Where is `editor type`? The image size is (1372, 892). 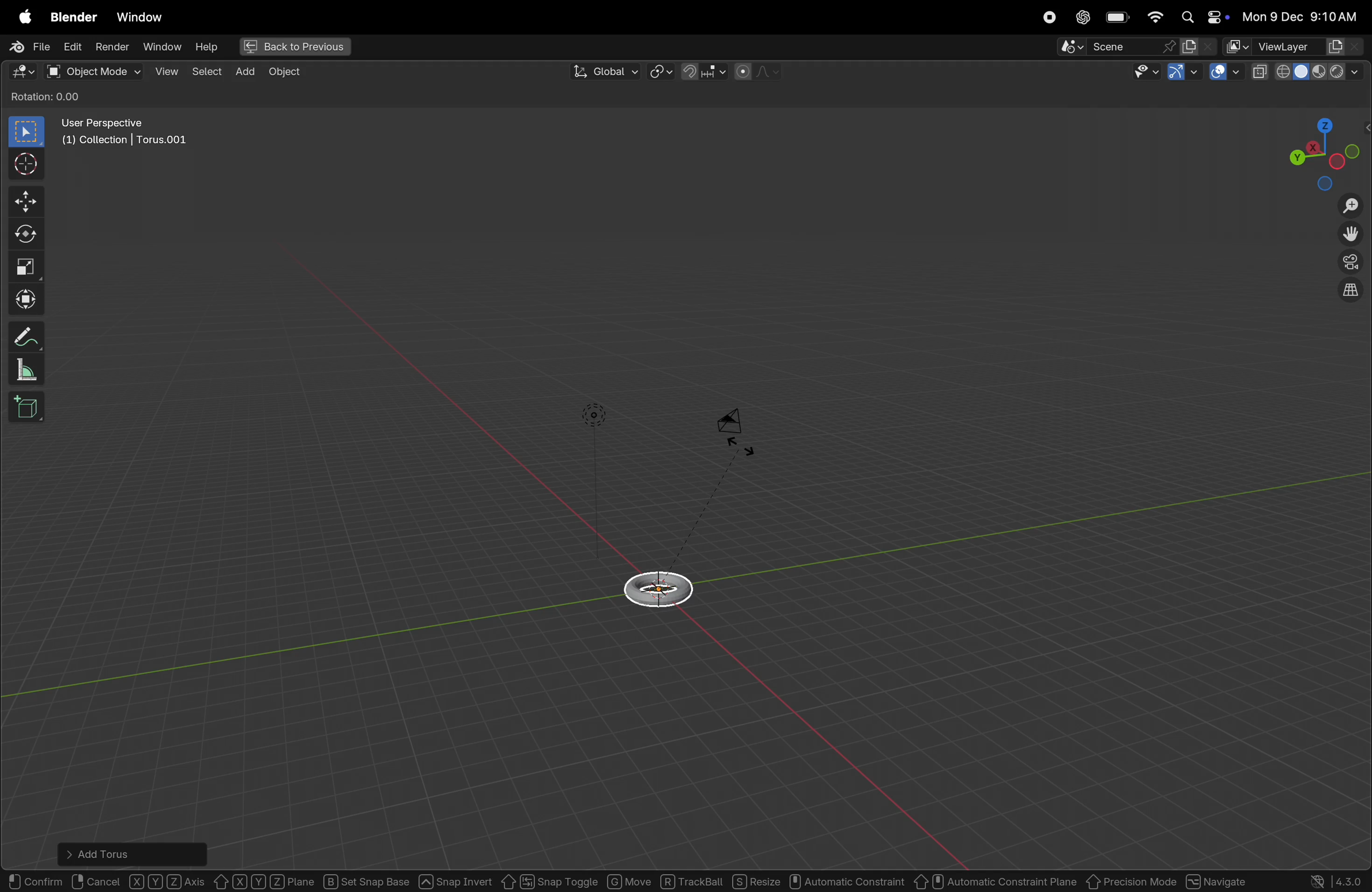
editor type is located at coordinates (18, 73).